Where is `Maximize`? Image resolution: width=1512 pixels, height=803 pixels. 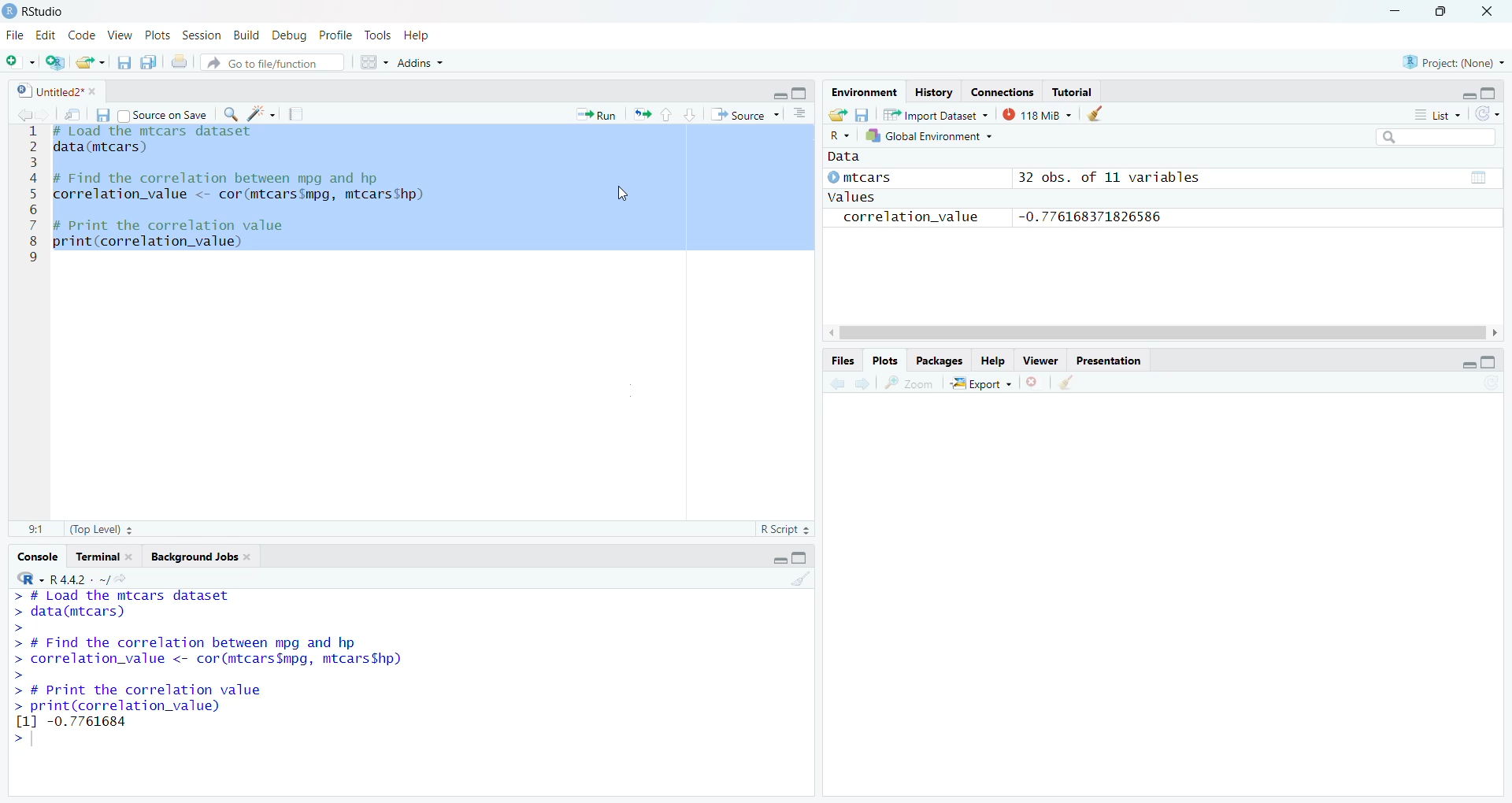
Maximize is located at coordinates (802, 93).